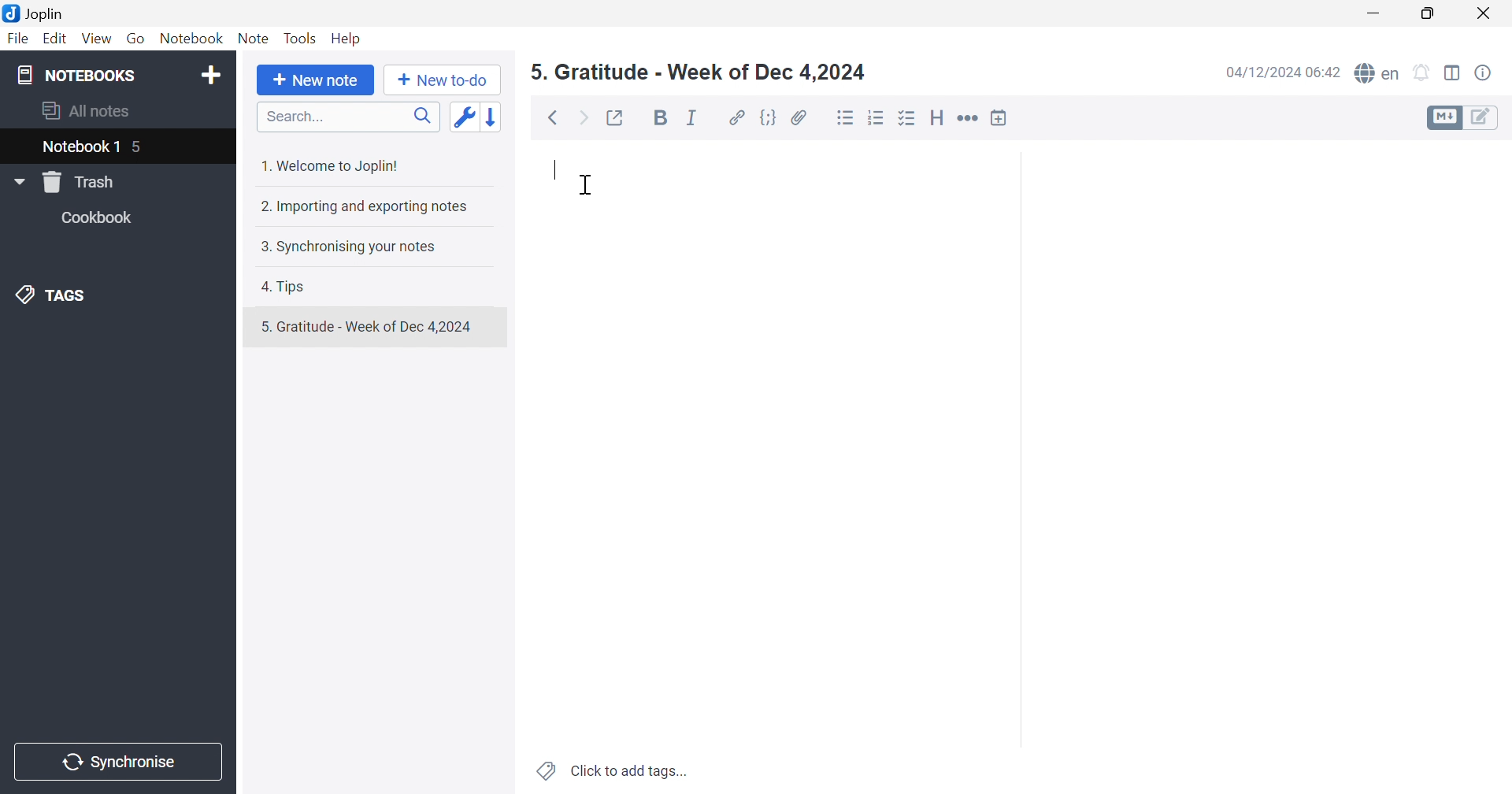 The image size is (1512, 794). Describe the element at coordinates (55, 38) in the screenshot. I see `Edit` at that location.